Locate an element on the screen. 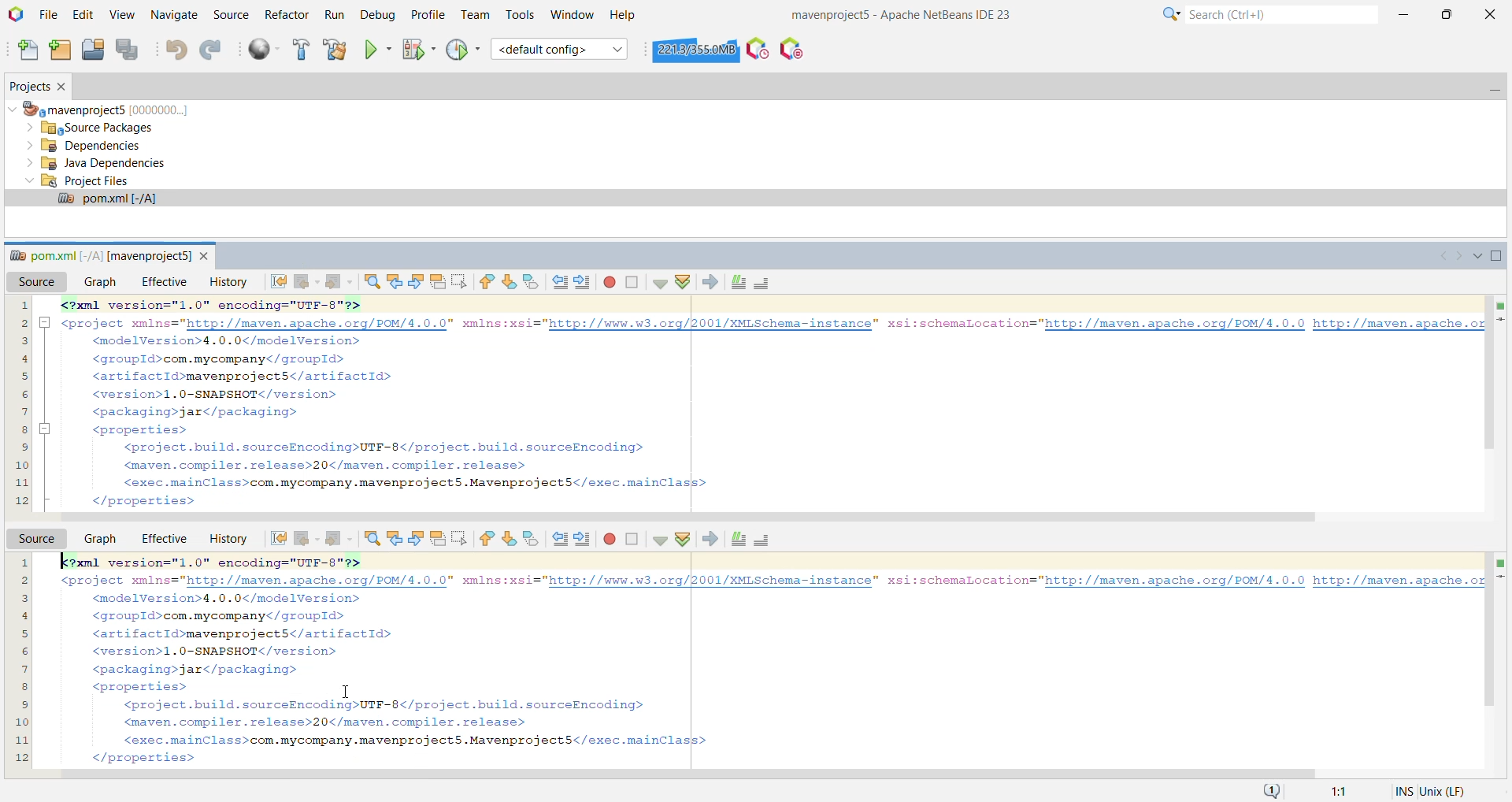 Image resolution: width=1512 pixels, height=802 pixels. </properties> is located at coordinates (146, 759).